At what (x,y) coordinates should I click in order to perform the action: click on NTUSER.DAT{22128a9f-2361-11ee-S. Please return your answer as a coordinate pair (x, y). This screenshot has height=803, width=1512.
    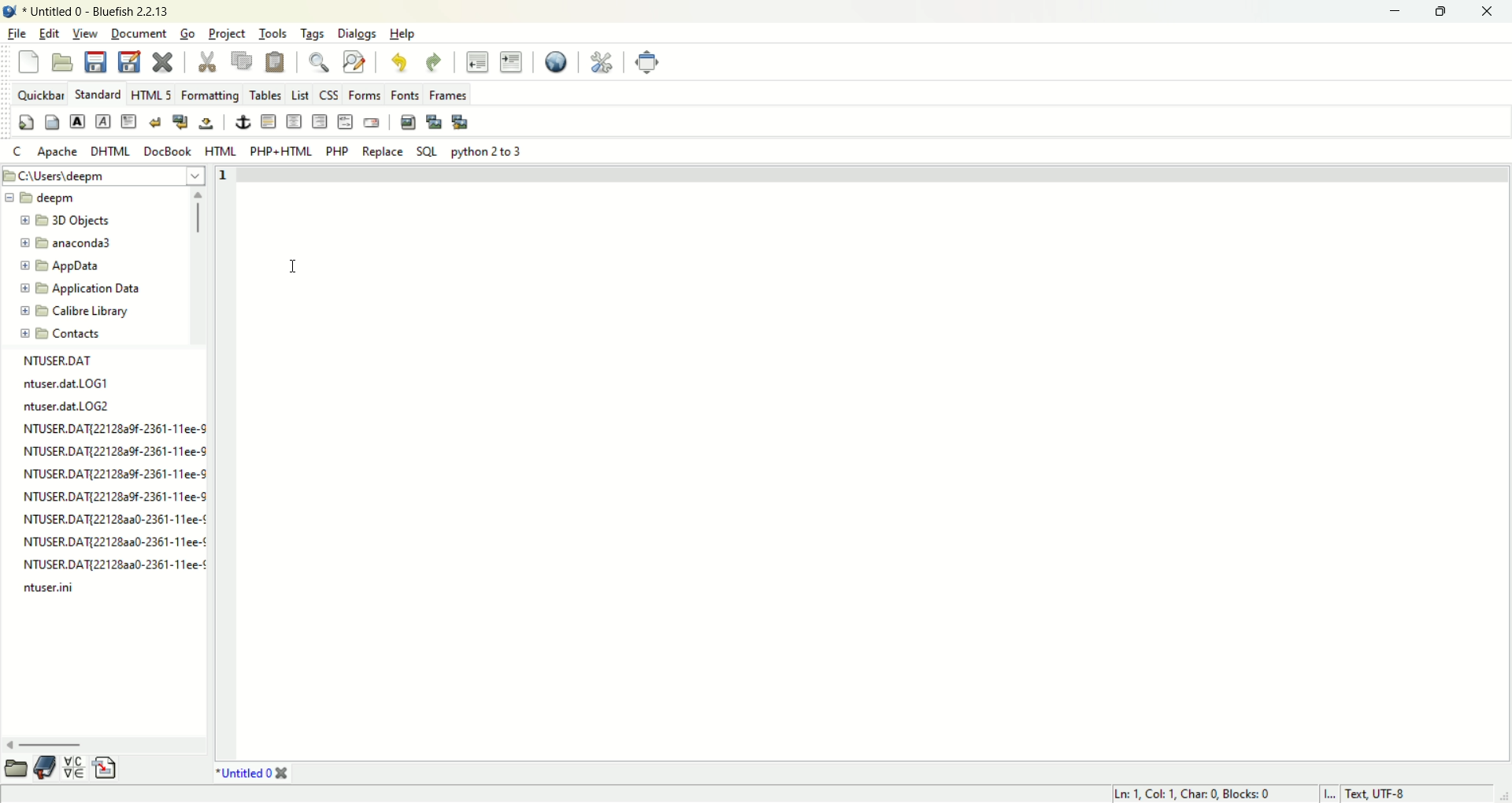
    Looking at the image, I should click on (115, 433).